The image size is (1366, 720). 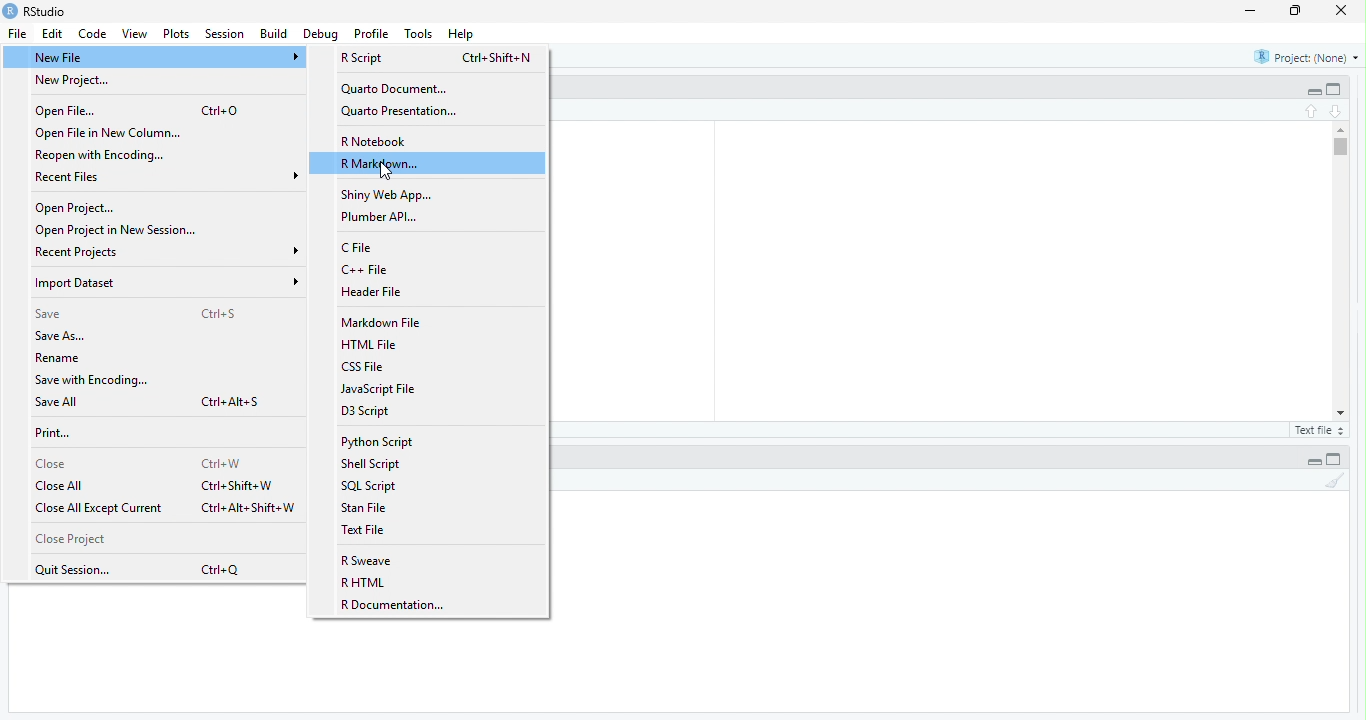 I want to click on Plumber API..., so click(x=381, y=216).